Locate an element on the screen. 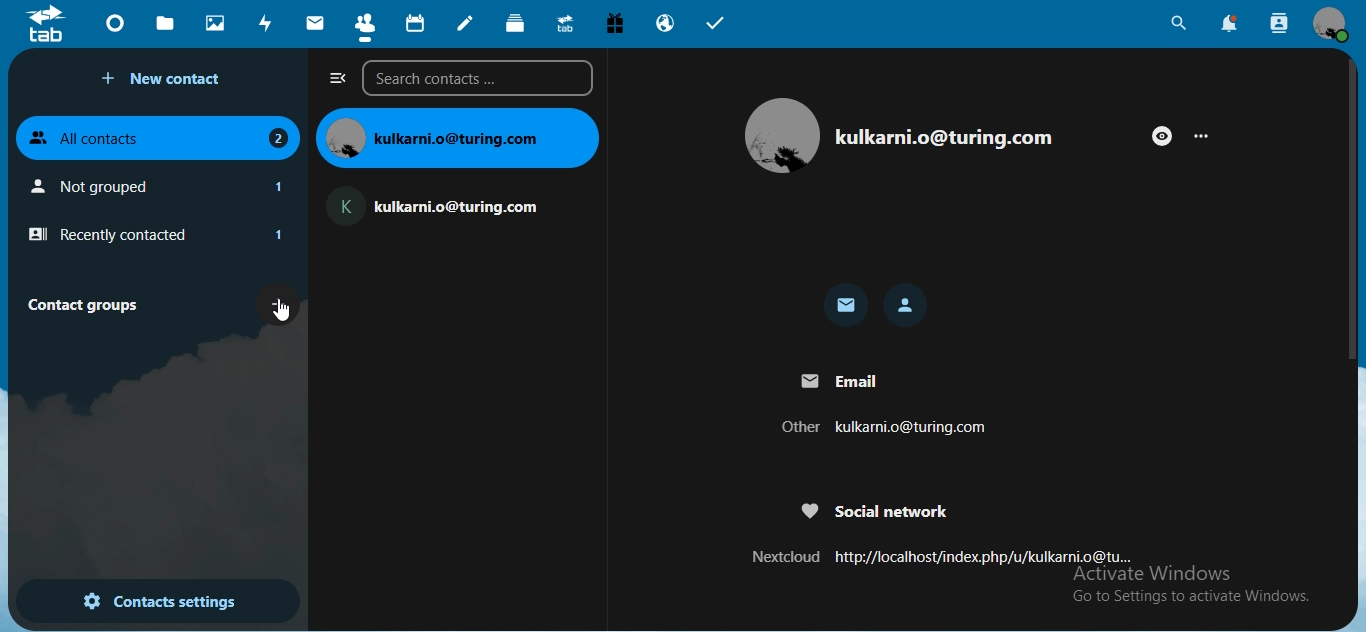 This screenshot has height=632, width=1366. free trial is located at coordinates (618, 24).